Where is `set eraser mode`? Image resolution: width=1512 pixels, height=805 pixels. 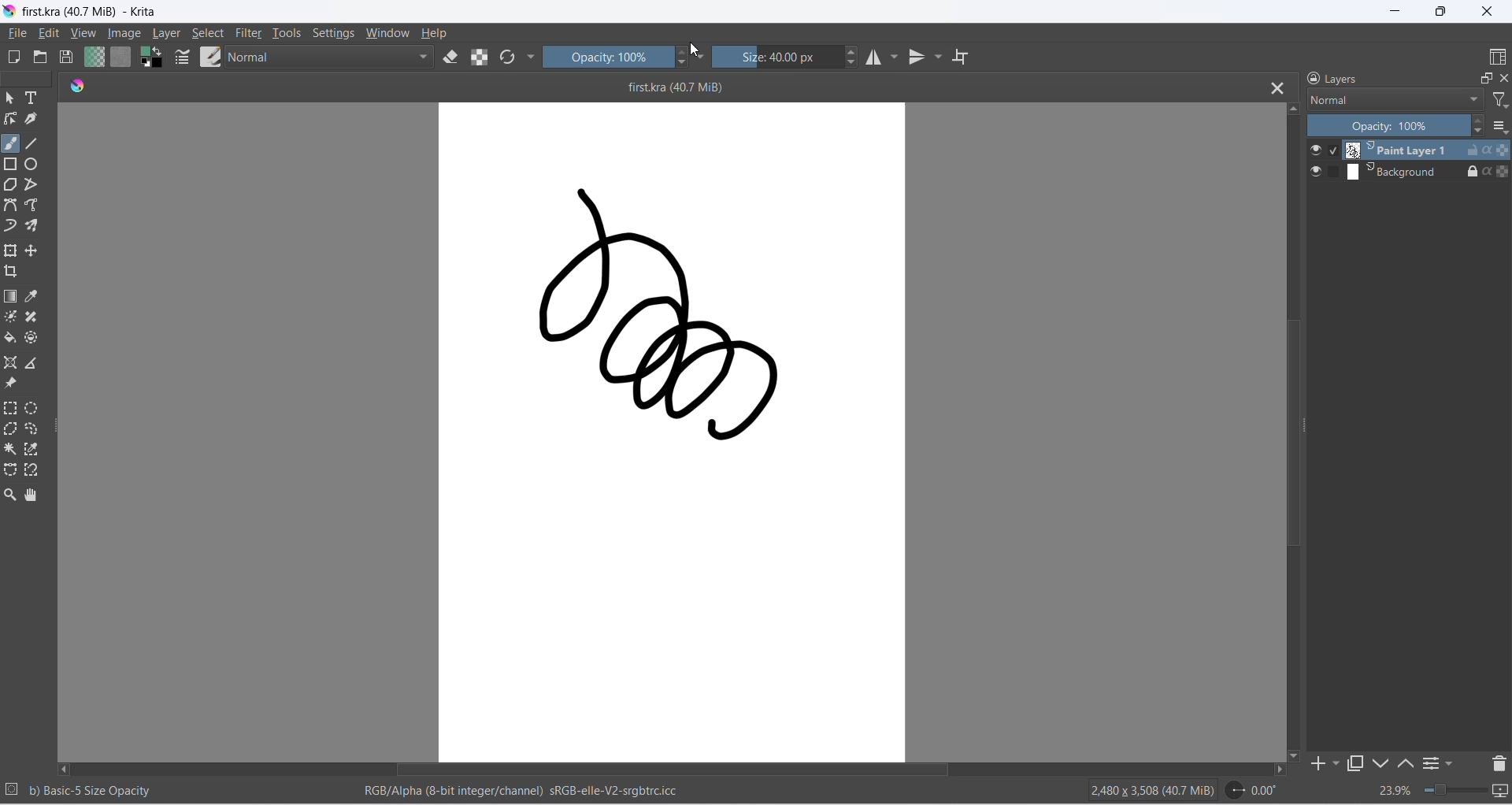 set eraser mode is located at coordinates (450, 57).